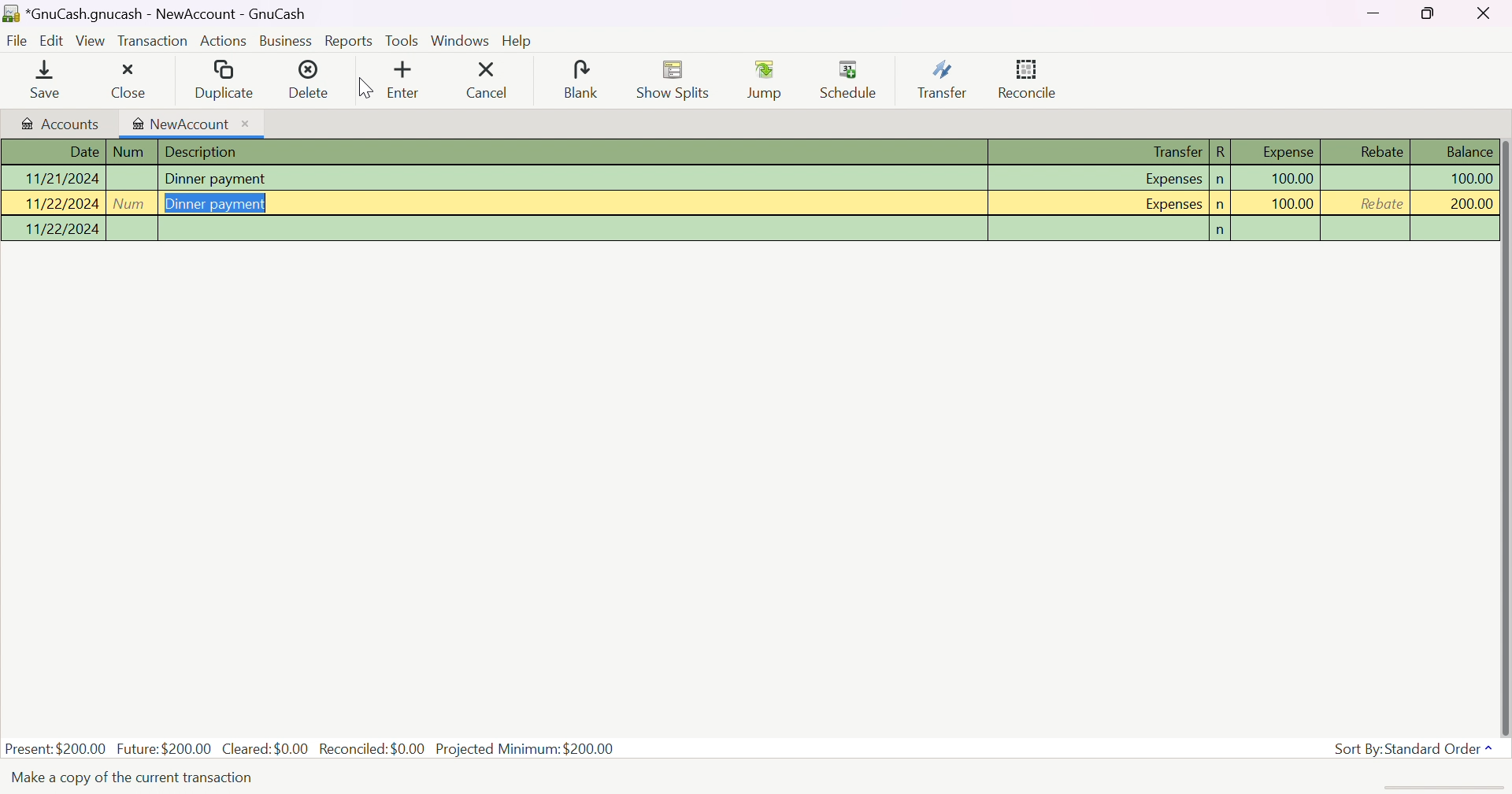  What do you see at coordinates (850, 80) in the screenshot?
I see `Schedule` at bounding box center [850, 80].